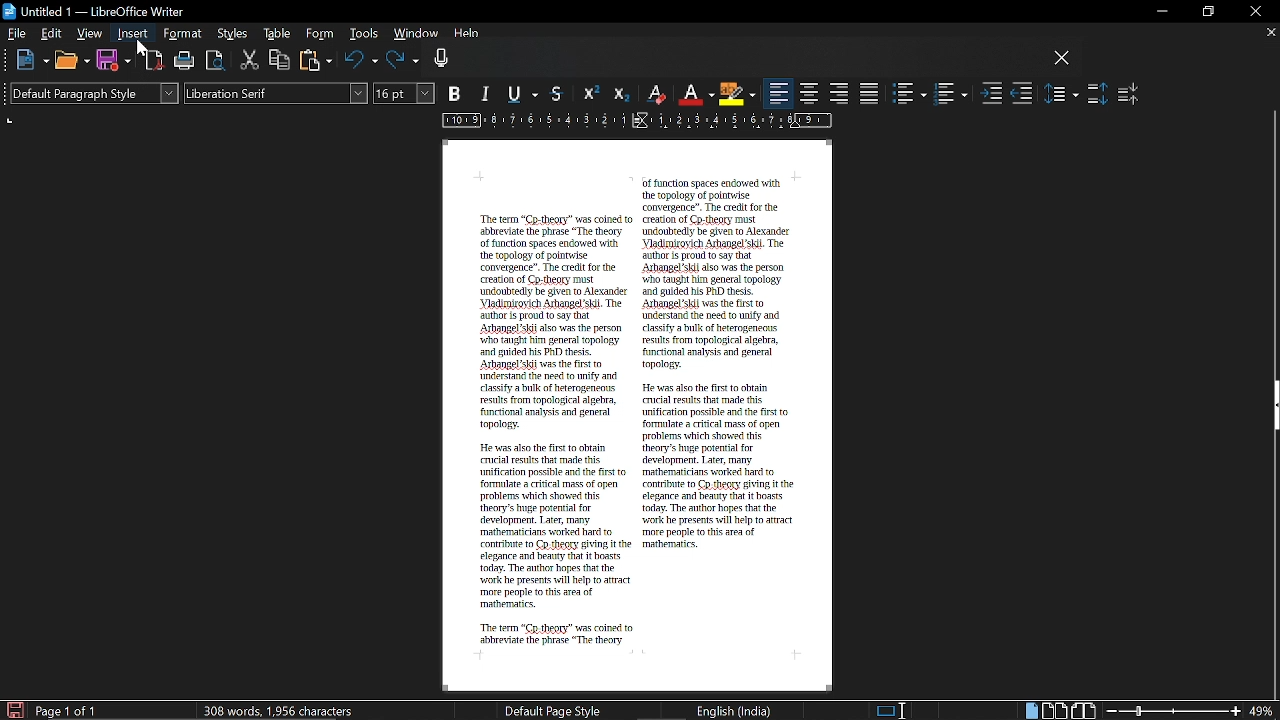 Image resolution: width=1280 pixels, height=720 pixels. What do you see at coordinates (736, 93) in the screenshot?
I see `Highlight` at bounding box center [736, 93].